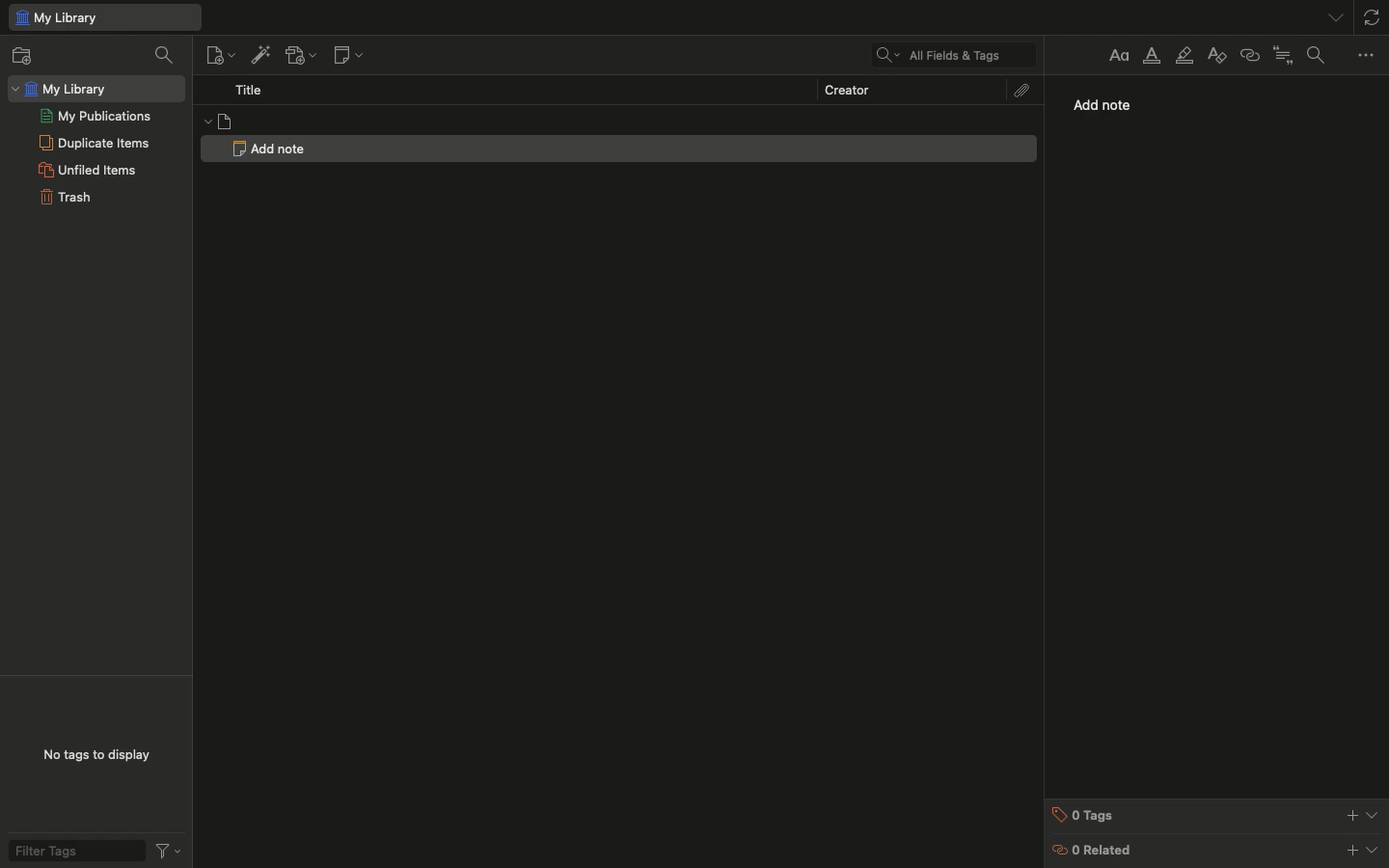 This screenshot has width=1389, height=868. What do you see at coordinates (1374, 14) in the screenshot?
I see `Sync` at bounding box center [1374, 14].